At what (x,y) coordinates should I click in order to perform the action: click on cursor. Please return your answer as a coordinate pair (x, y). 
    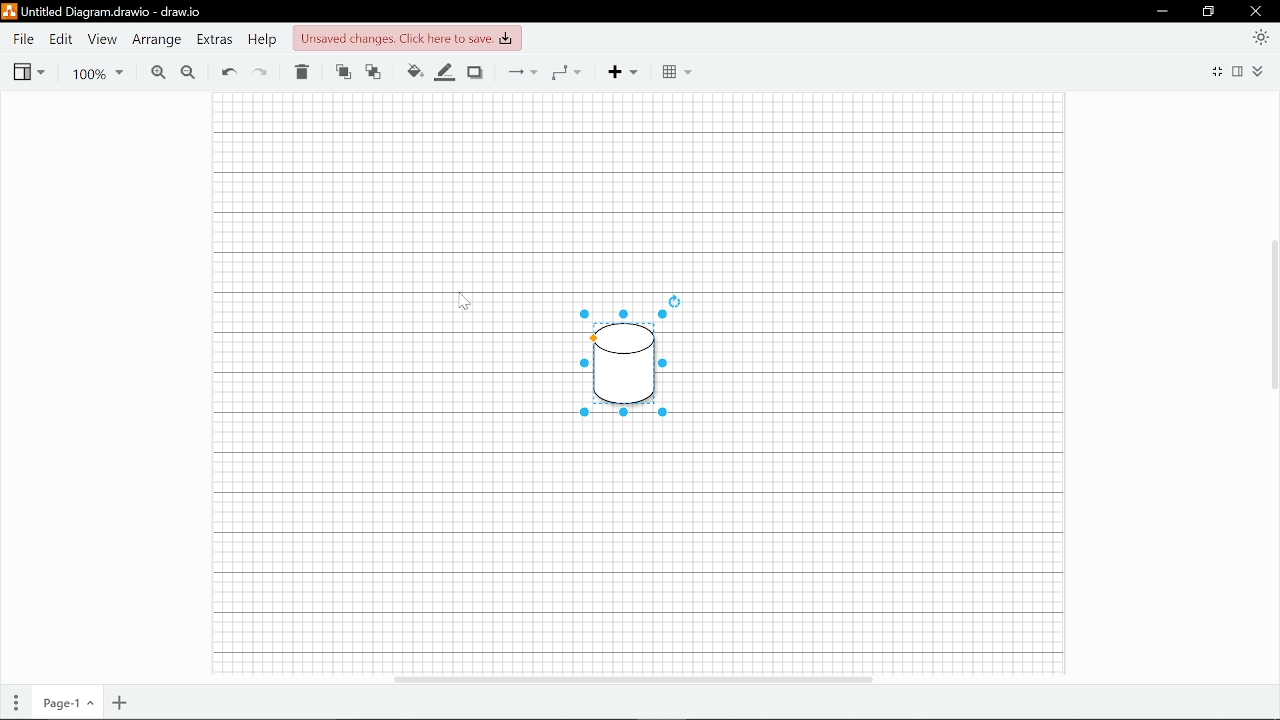
    Looking at the image, I should click on (465, 304).